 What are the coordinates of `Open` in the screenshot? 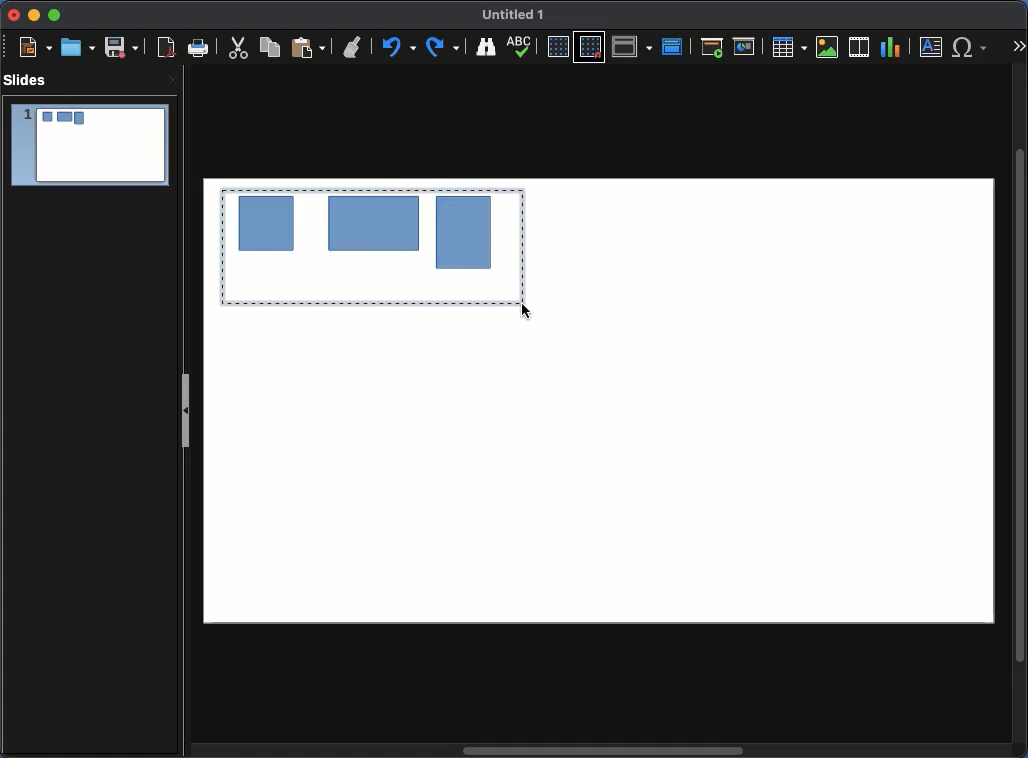 It's located at (76, 47).